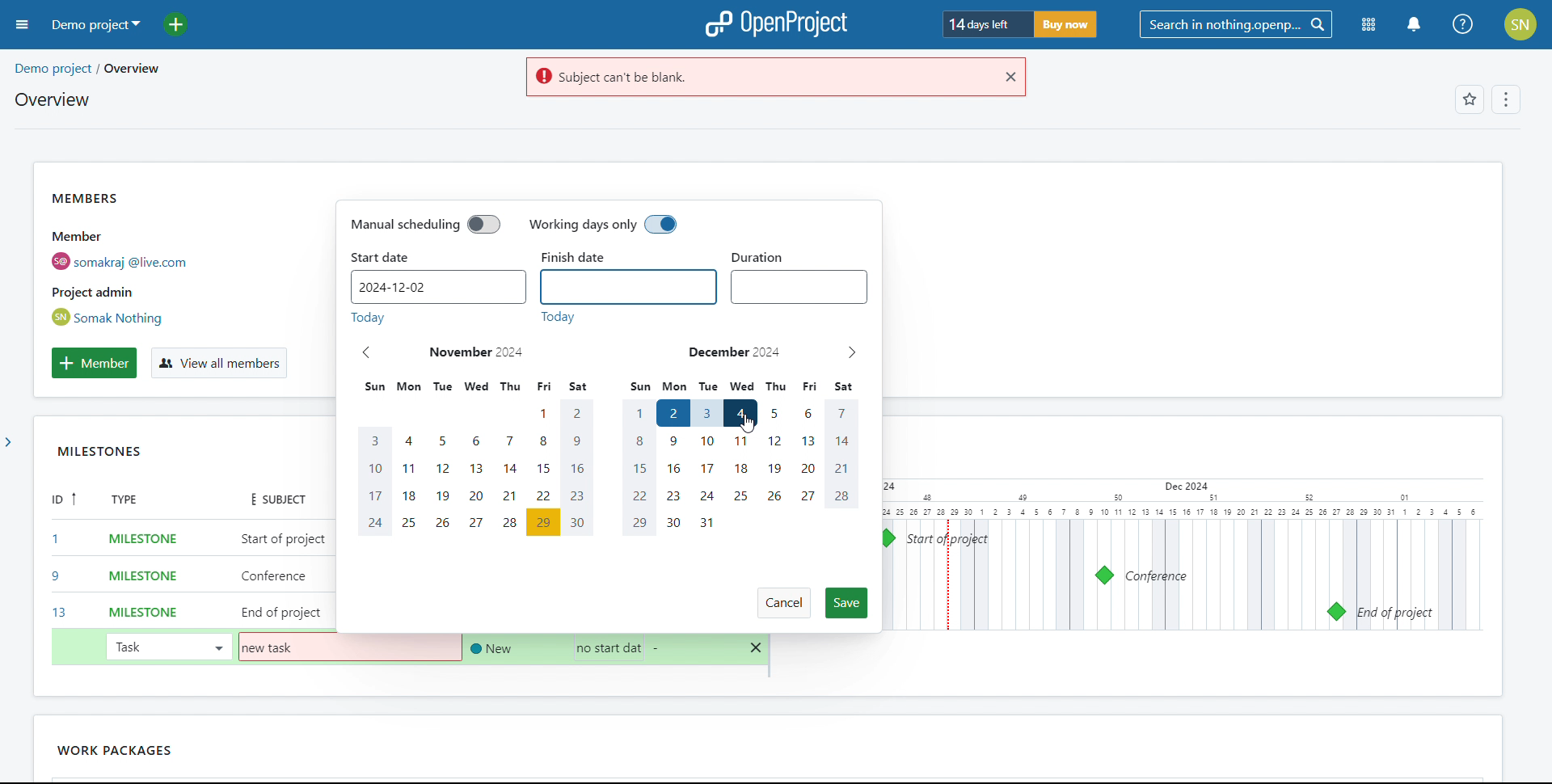  What do you see at coordinates (134, 501) in the screenshot?
I see `type` at bounding box center [134, 501].